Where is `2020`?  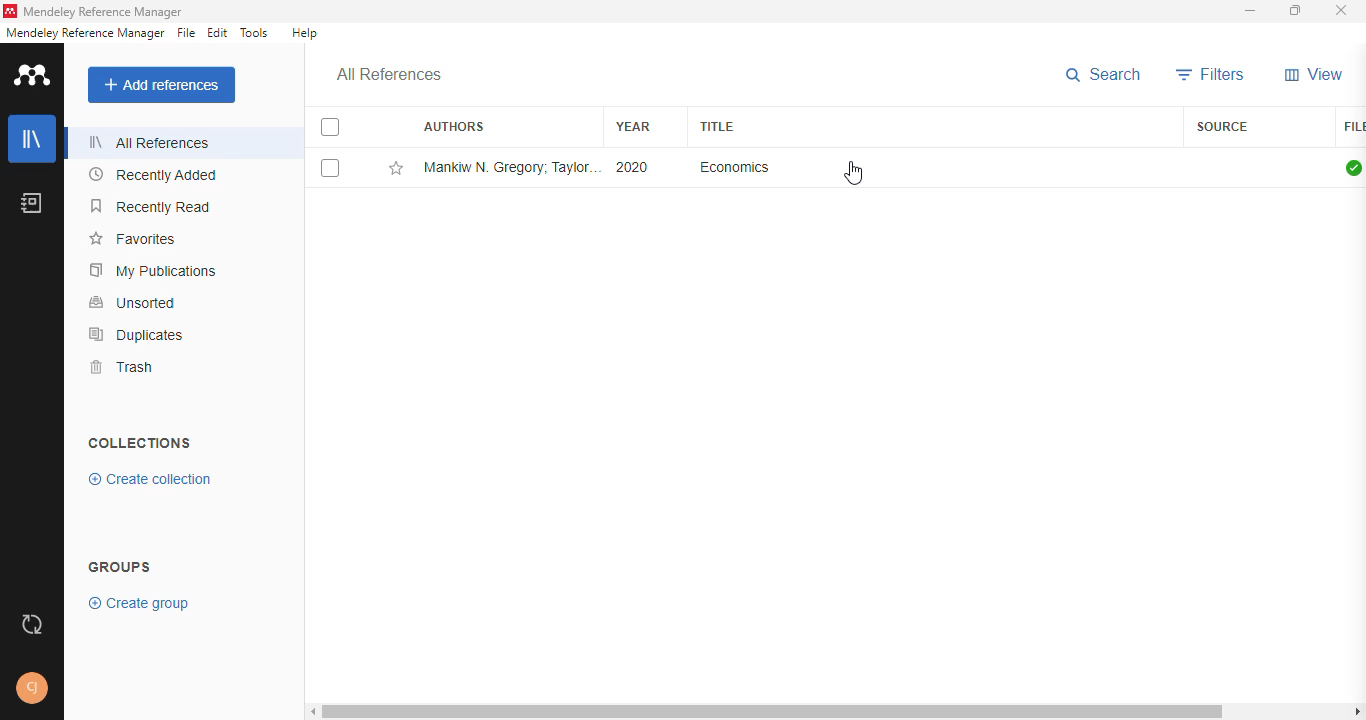 2020 is located at coordinates (632, 166).